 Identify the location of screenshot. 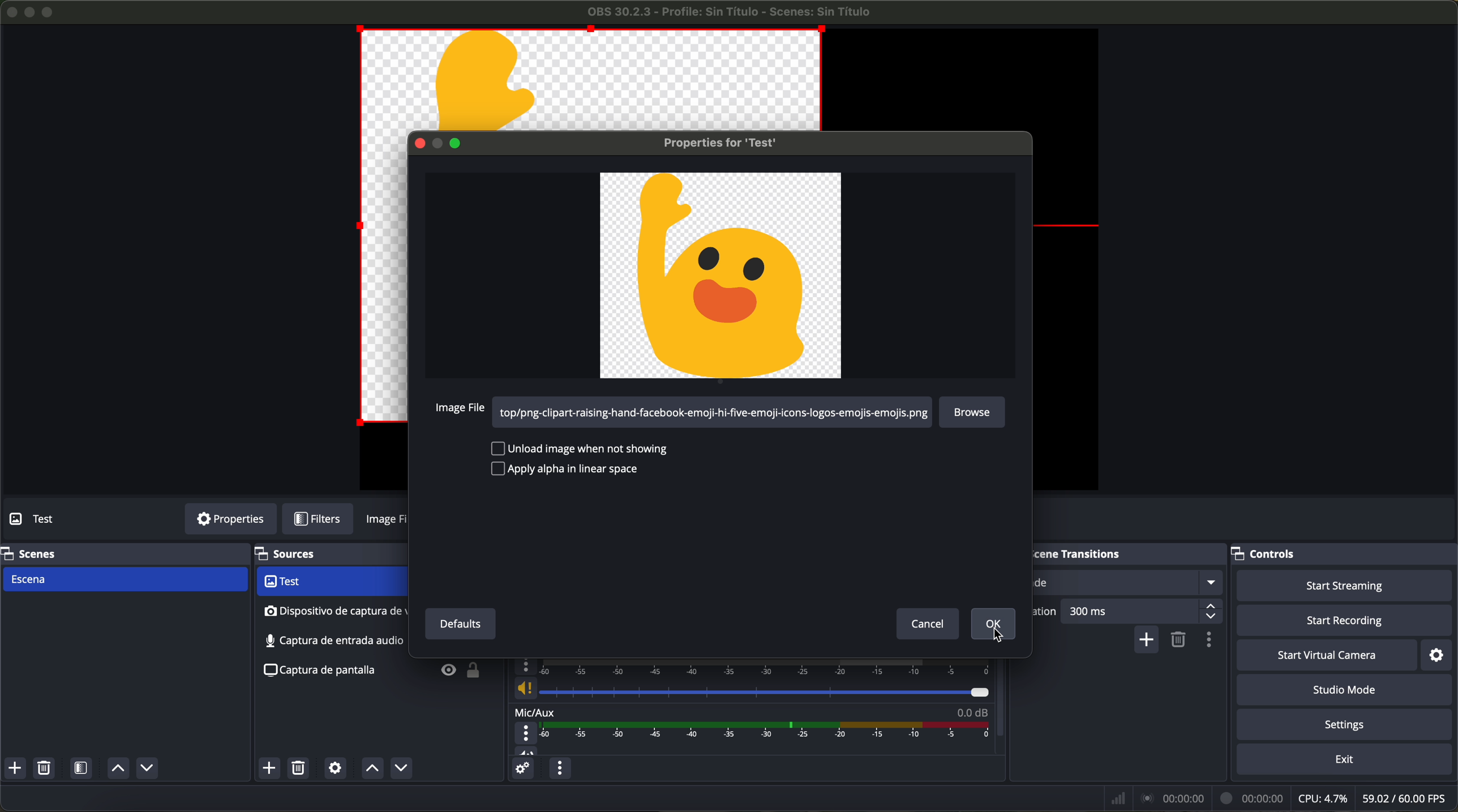
(317, 670).